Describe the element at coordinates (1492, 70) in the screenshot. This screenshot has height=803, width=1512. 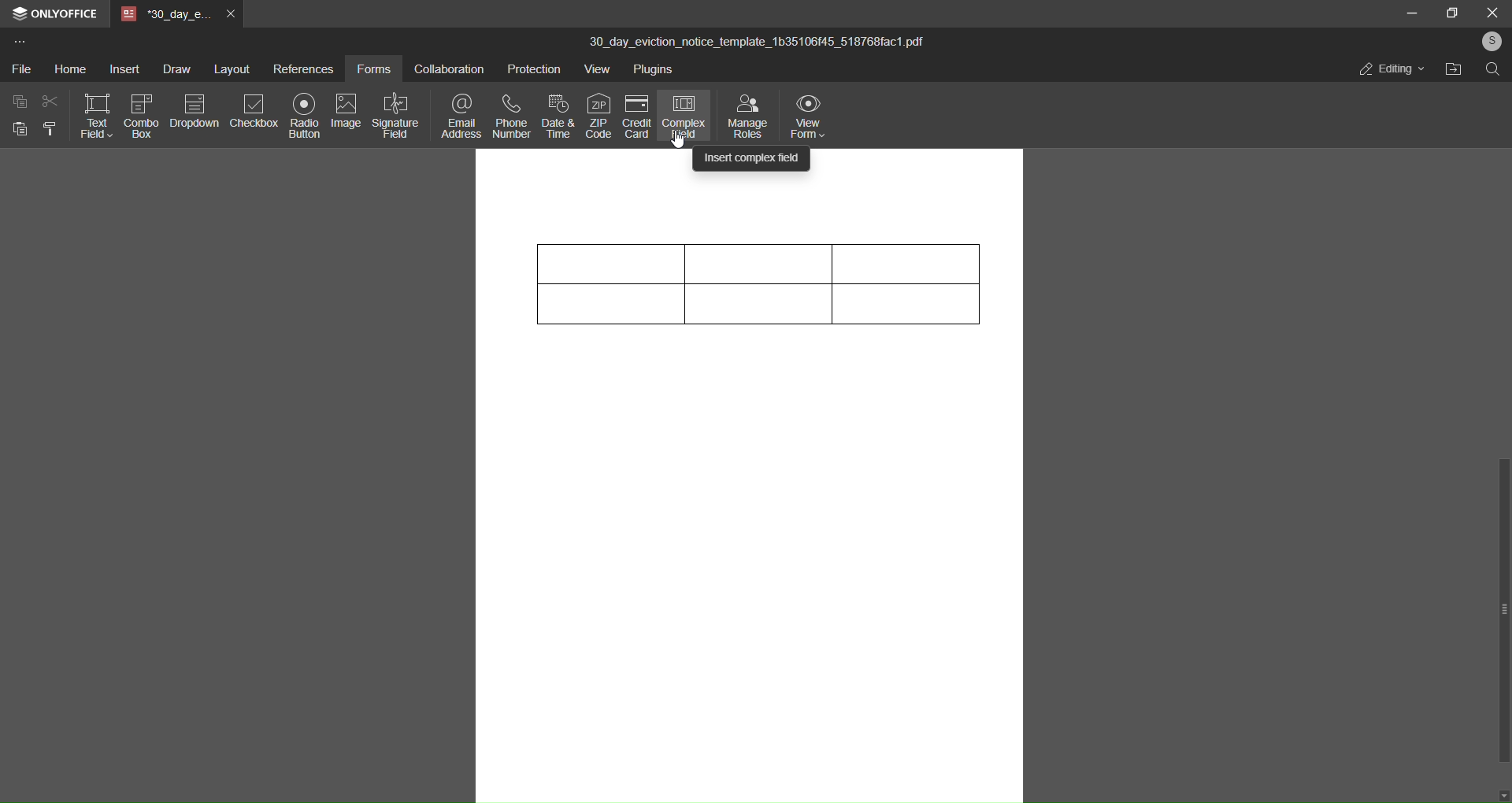
I see `search` at that location.